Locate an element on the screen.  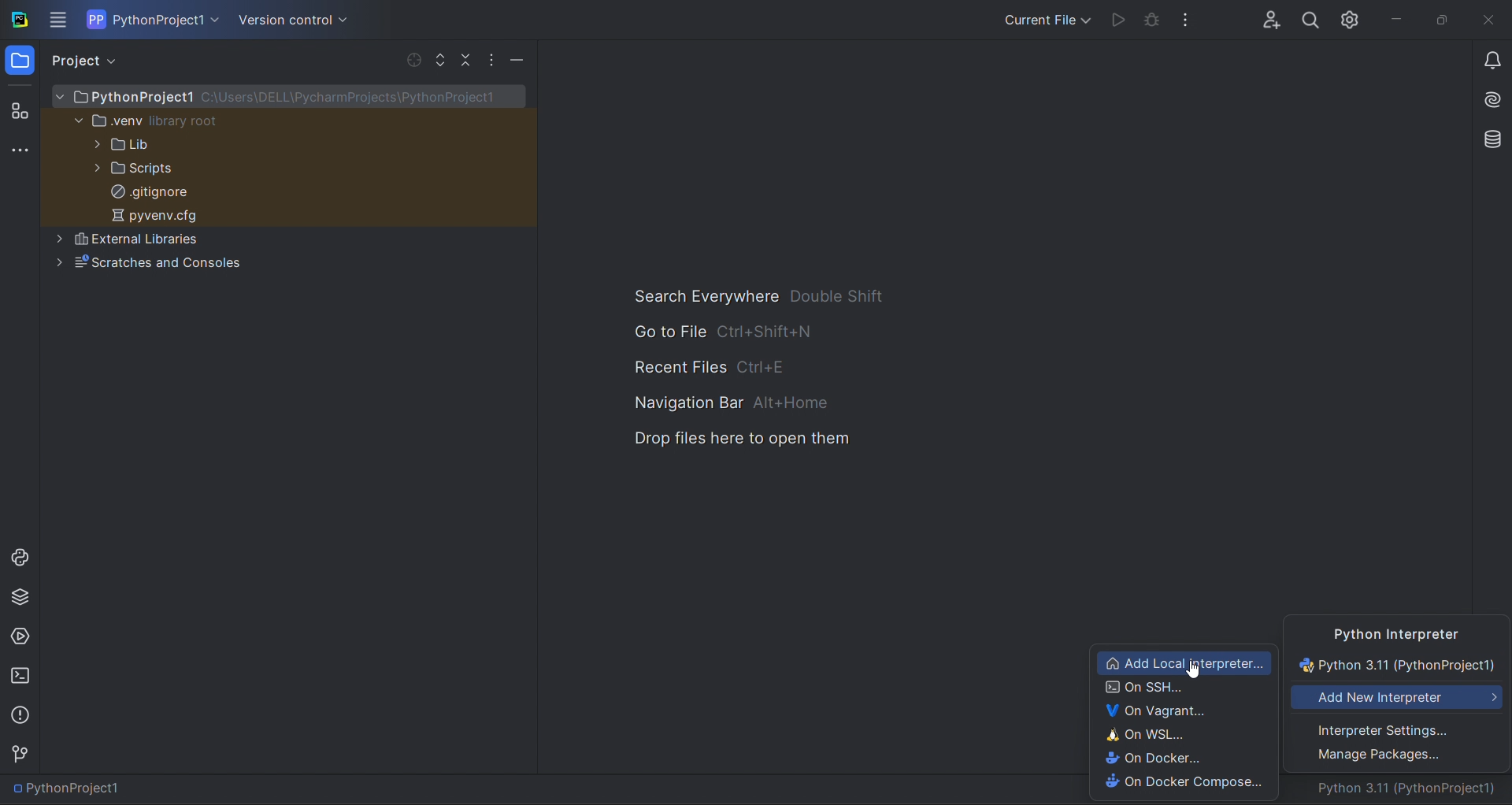
file tree is located at coordinates (289, 184).